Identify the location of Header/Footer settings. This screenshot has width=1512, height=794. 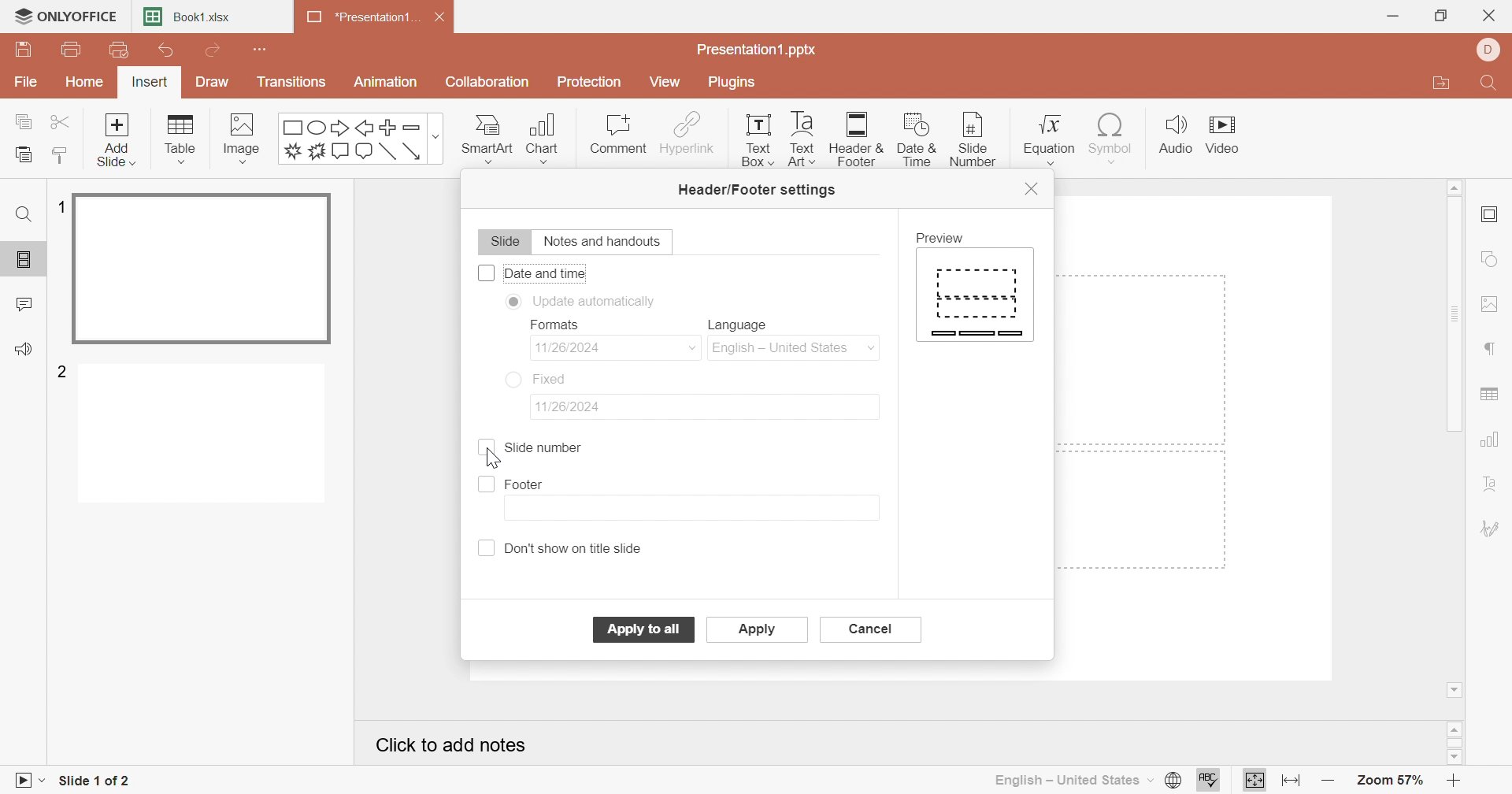
(758, 191).